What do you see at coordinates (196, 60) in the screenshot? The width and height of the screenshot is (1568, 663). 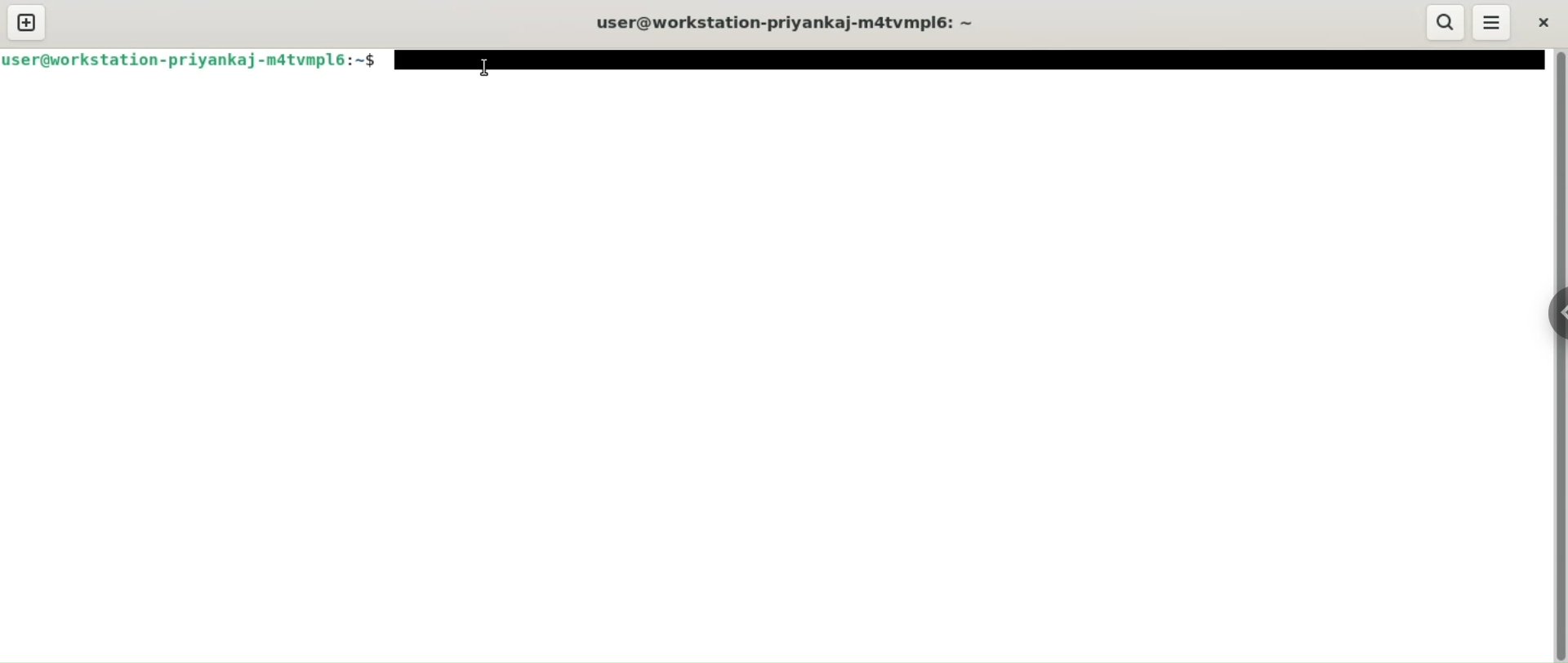 I see `user@workstation-priyankaj-m4atvmpl6:~$` at bounding box center [196, 60].